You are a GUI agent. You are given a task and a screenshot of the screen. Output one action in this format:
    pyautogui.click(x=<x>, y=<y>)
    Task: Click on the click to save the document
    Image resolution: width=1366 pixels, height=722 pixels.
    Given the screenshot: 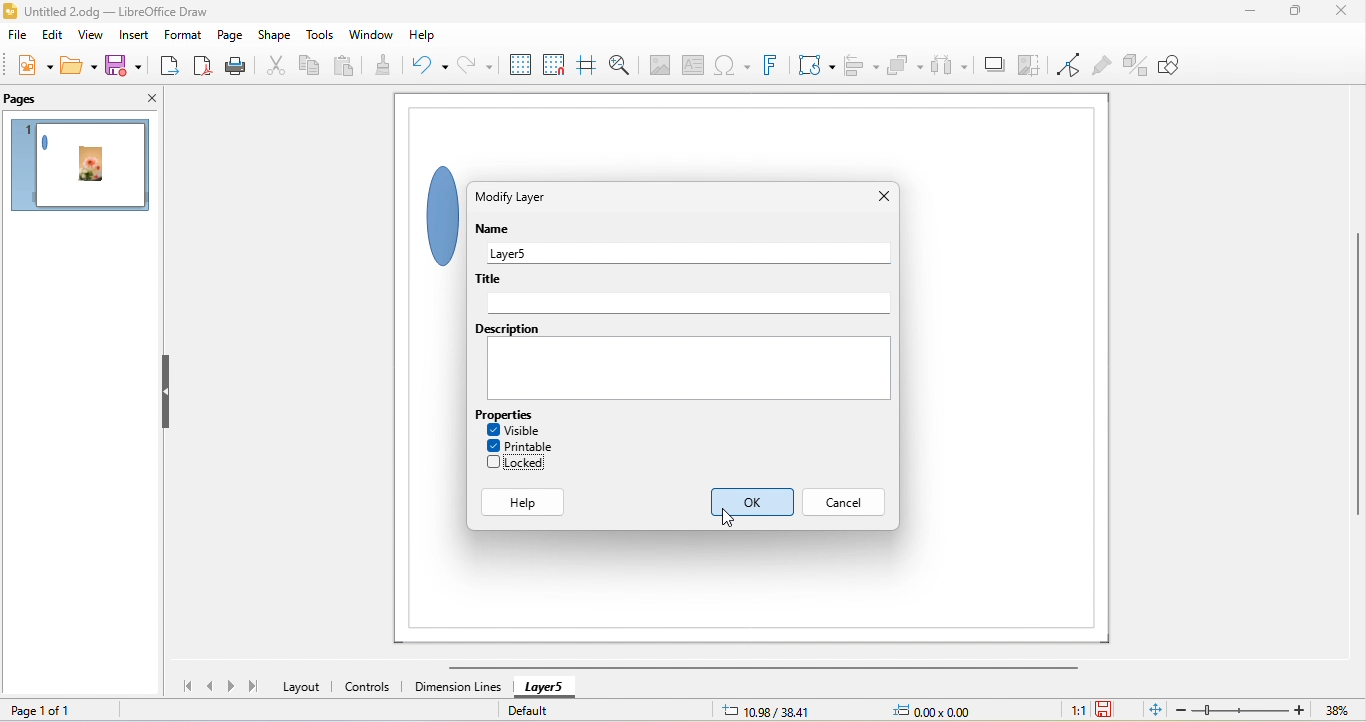 What is the action you would take?
    pyautogui.click(x=1106, y=710)
    